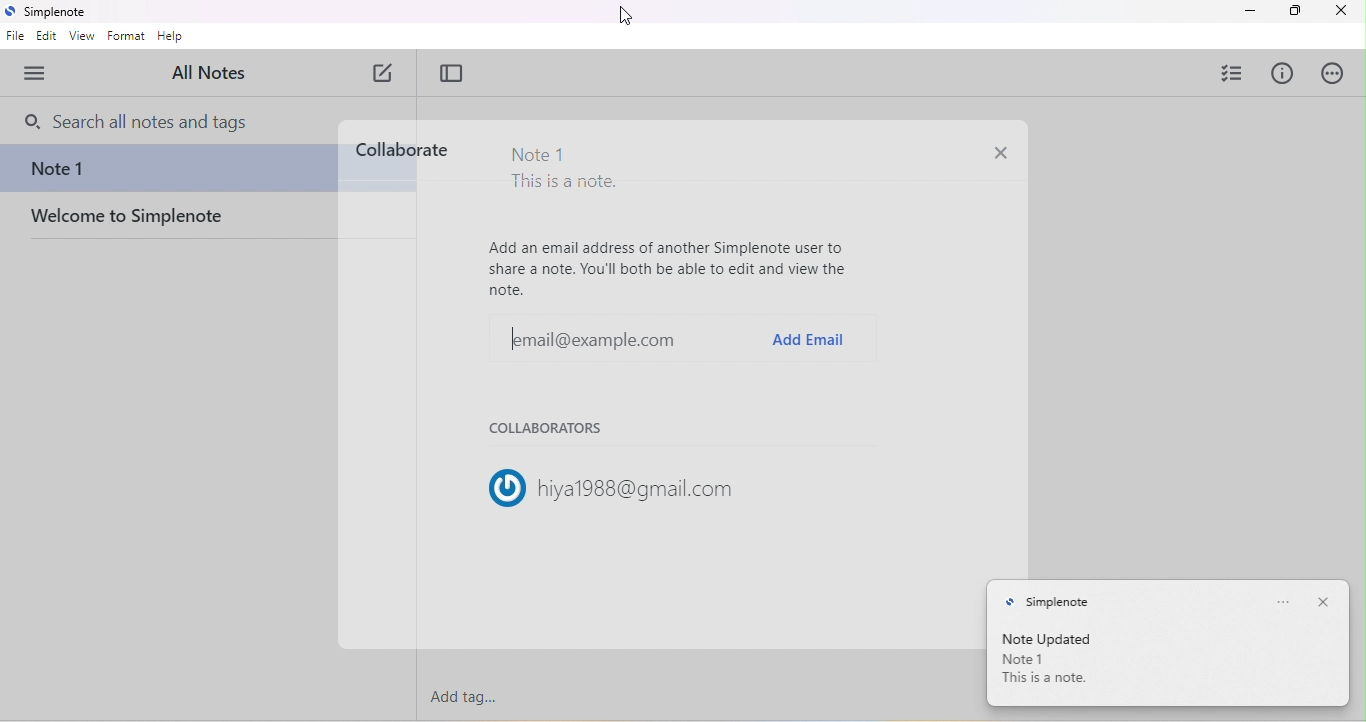 The width and height of the screenshot is (1366, 722). I want to click on gmail logo, so click(497, 485).